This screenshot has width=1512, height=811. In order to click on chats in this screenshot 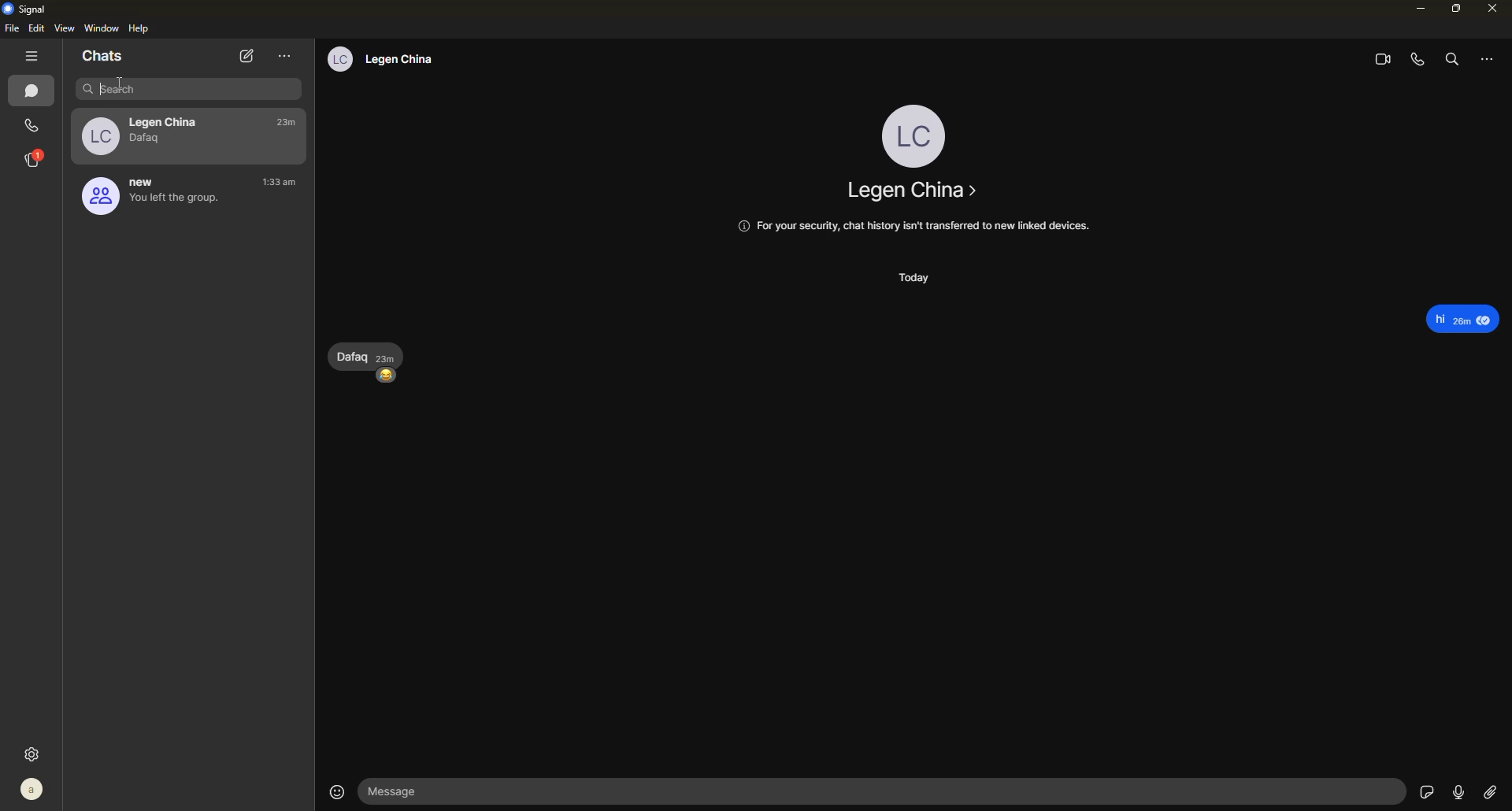, I will do `click(103, 56)`.